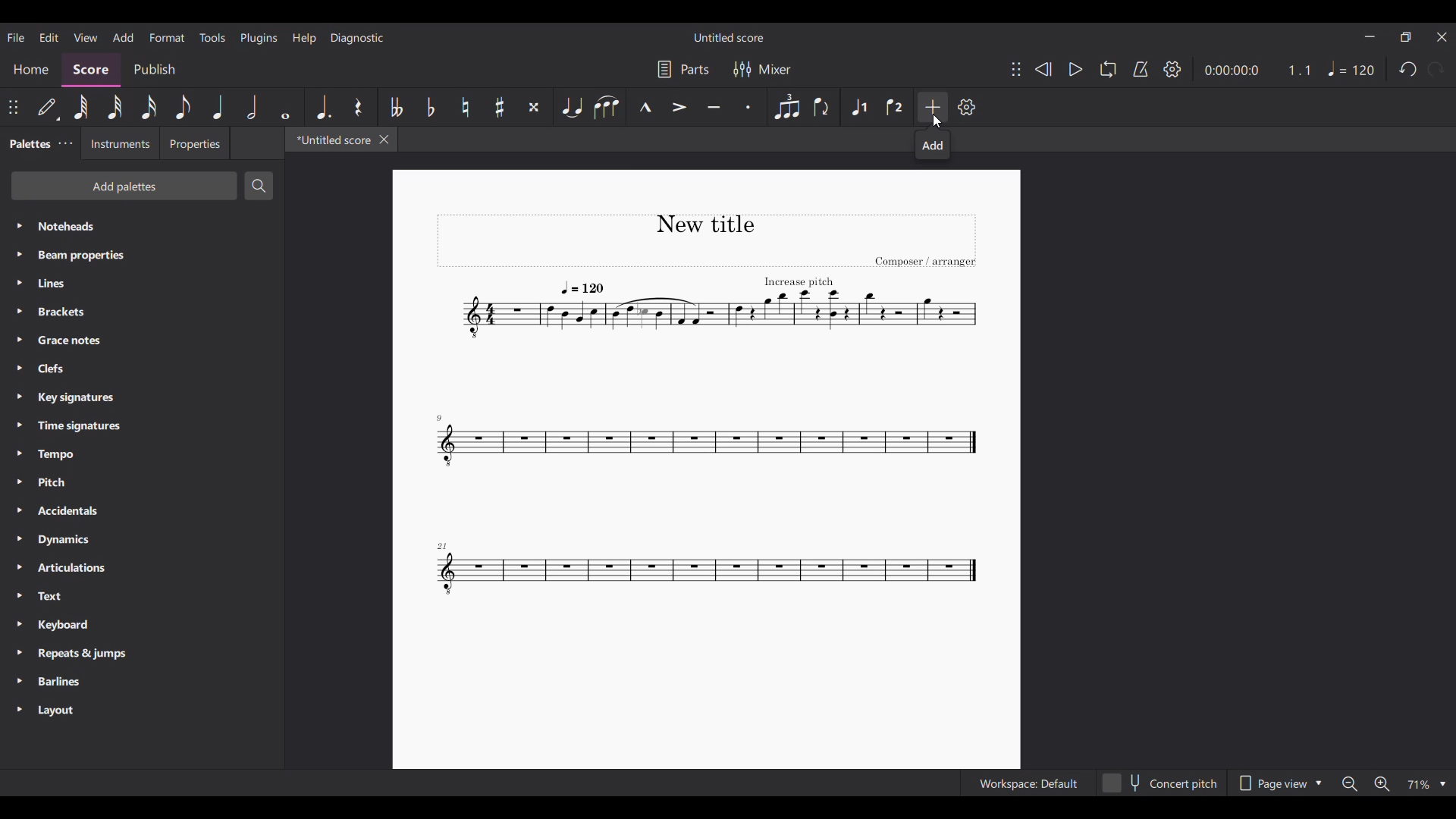  Describe the element at coordinates (142, 597) in the screenshot. I see `Text` at that location.